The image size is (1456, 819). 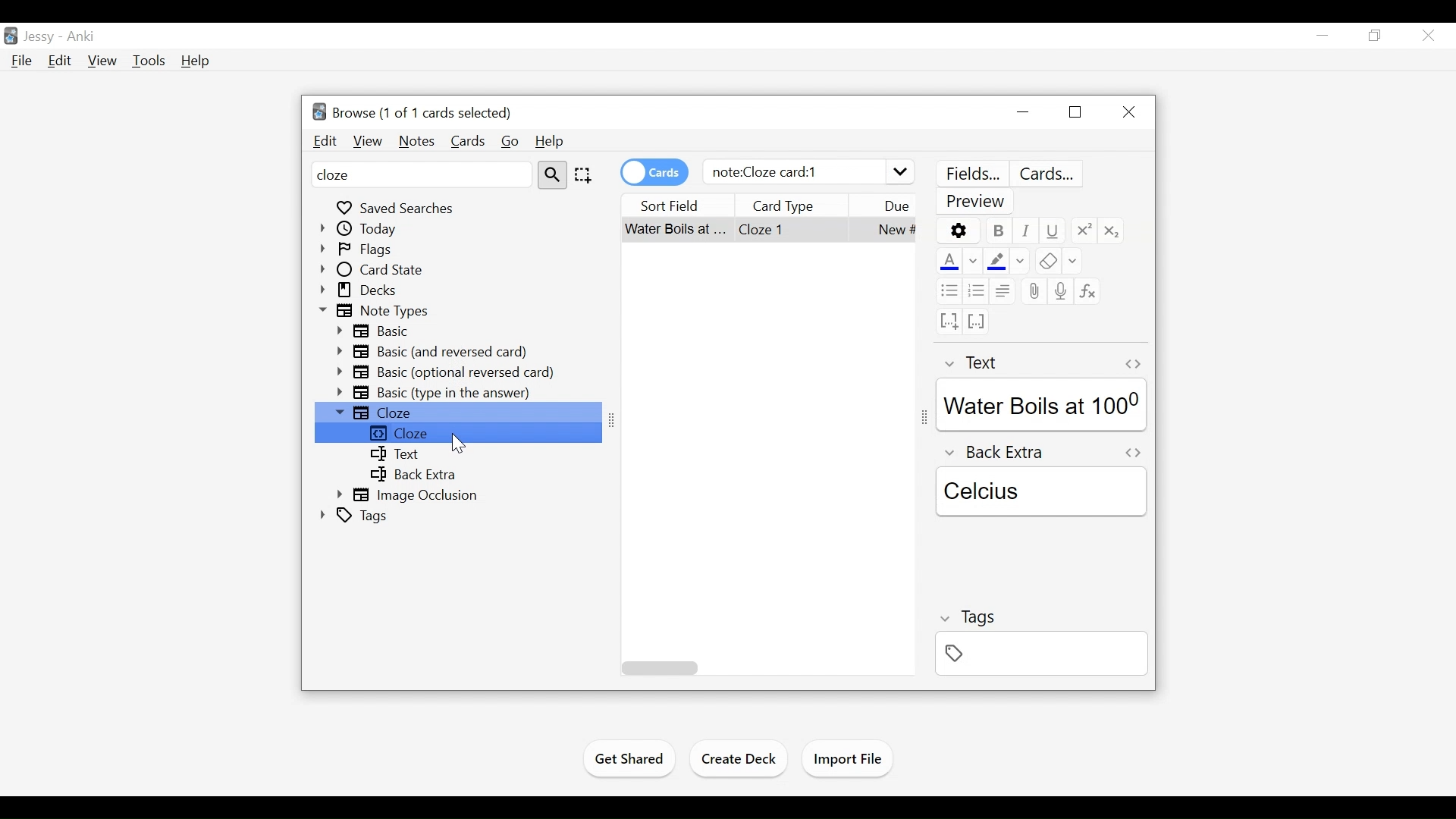 What do you see at coordinates (411, 475) in the screenshot?
I see `Back Extra` at bounding box center [411, 475].